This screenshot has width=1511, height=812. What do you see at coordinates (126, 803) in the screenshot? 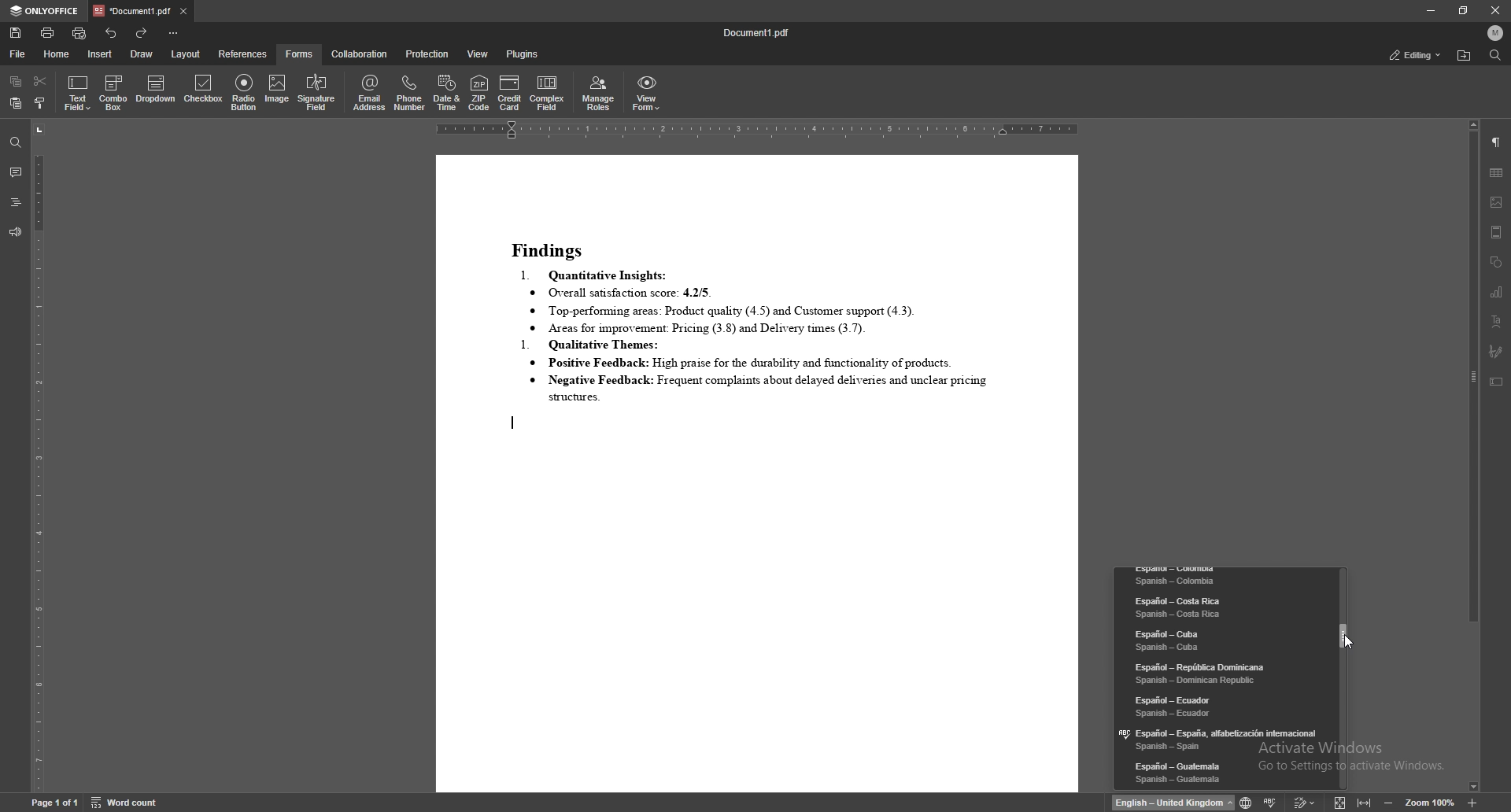
I see `word count` at bounding box center [126, 803].